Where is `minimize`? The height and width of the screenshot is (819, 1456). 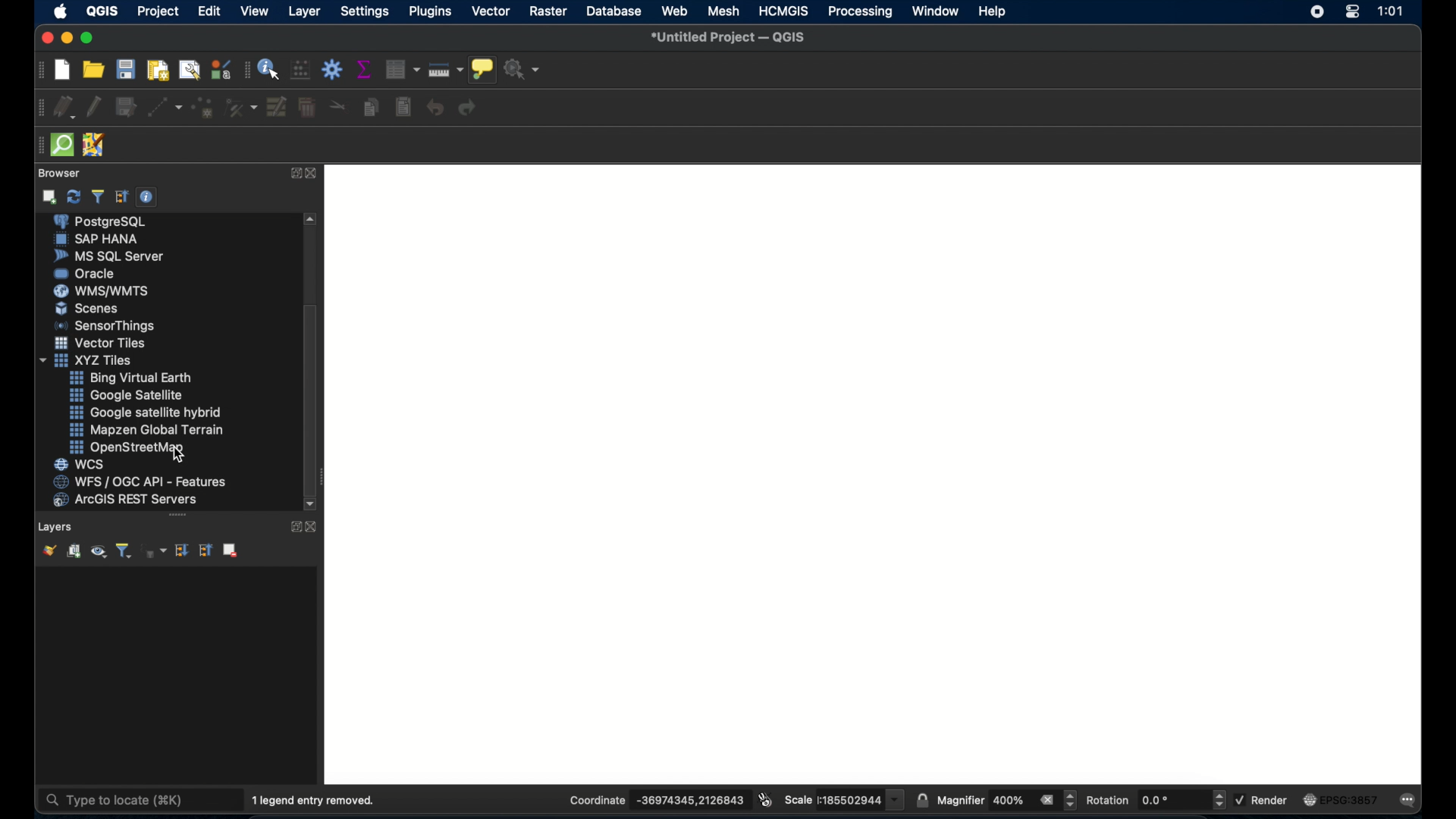
minimize is located at coordinates (69, 38).